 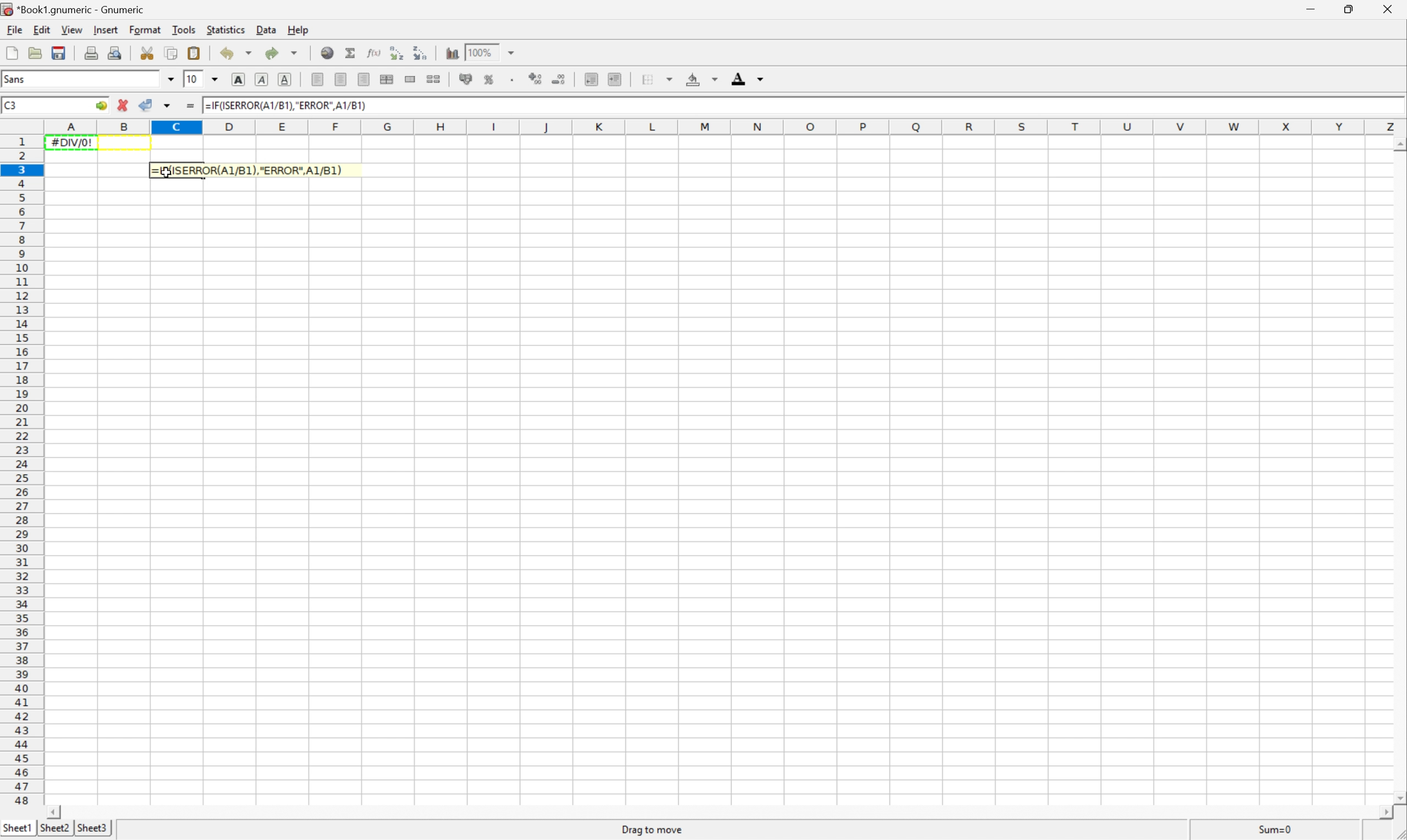 I want to click on Tools, so click(x=183, y=30).